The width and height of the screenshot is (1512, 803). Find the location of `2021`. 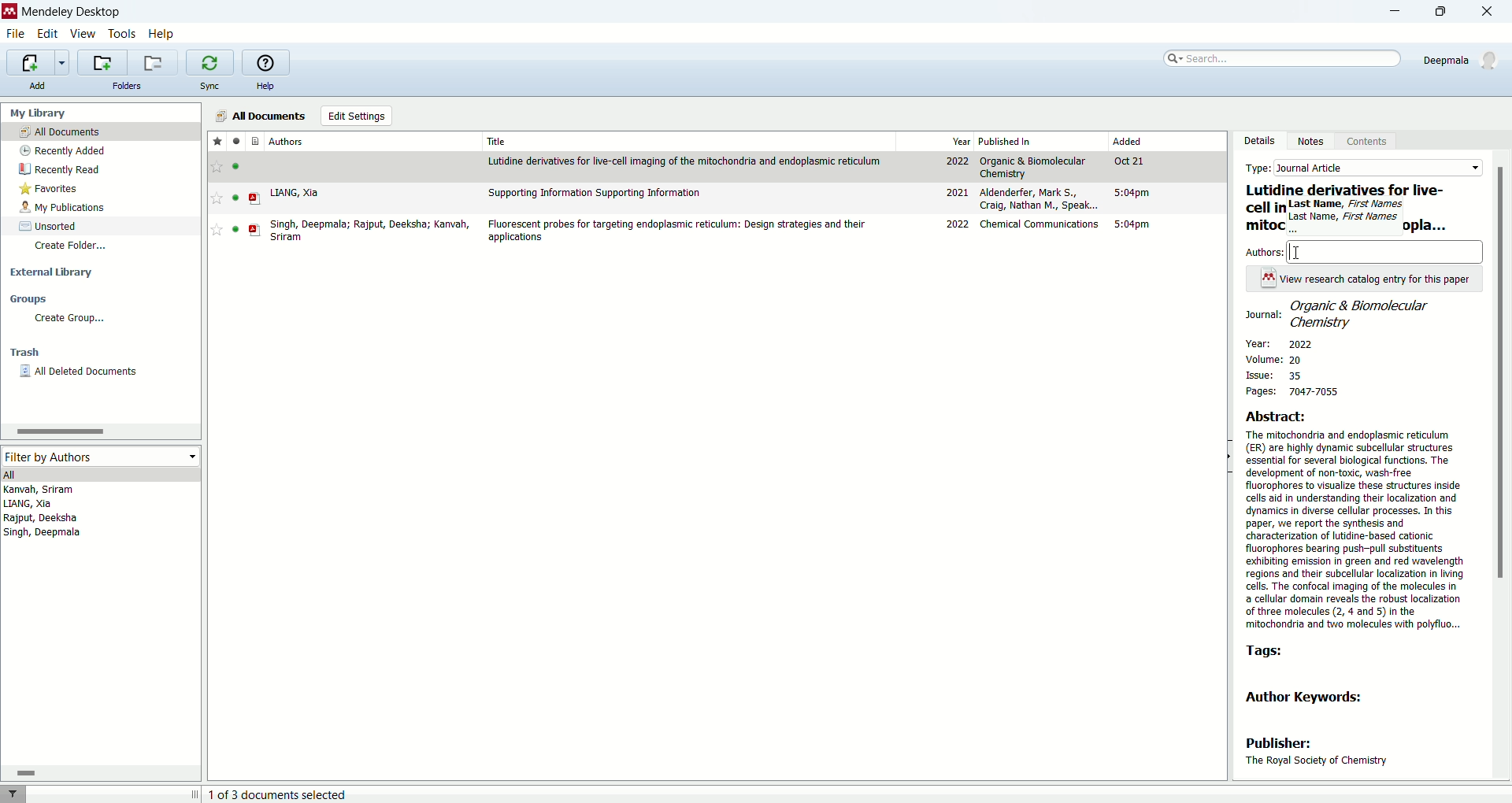

2021 is located at coordinates (955, 192).